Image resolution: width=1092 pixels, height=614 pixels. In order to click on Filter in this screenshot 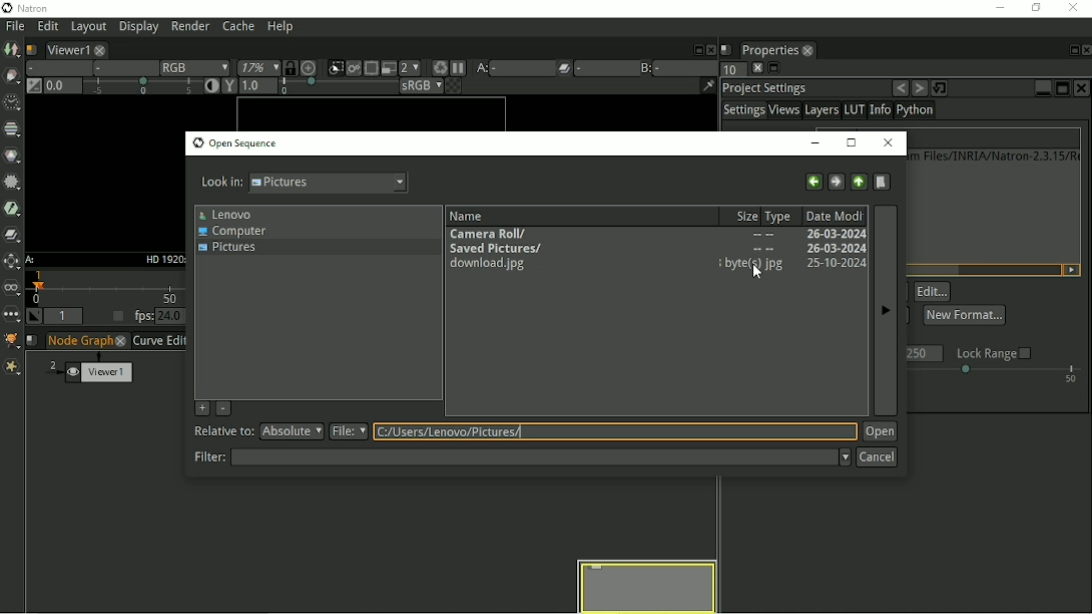, I will do `click(11, 181)`.